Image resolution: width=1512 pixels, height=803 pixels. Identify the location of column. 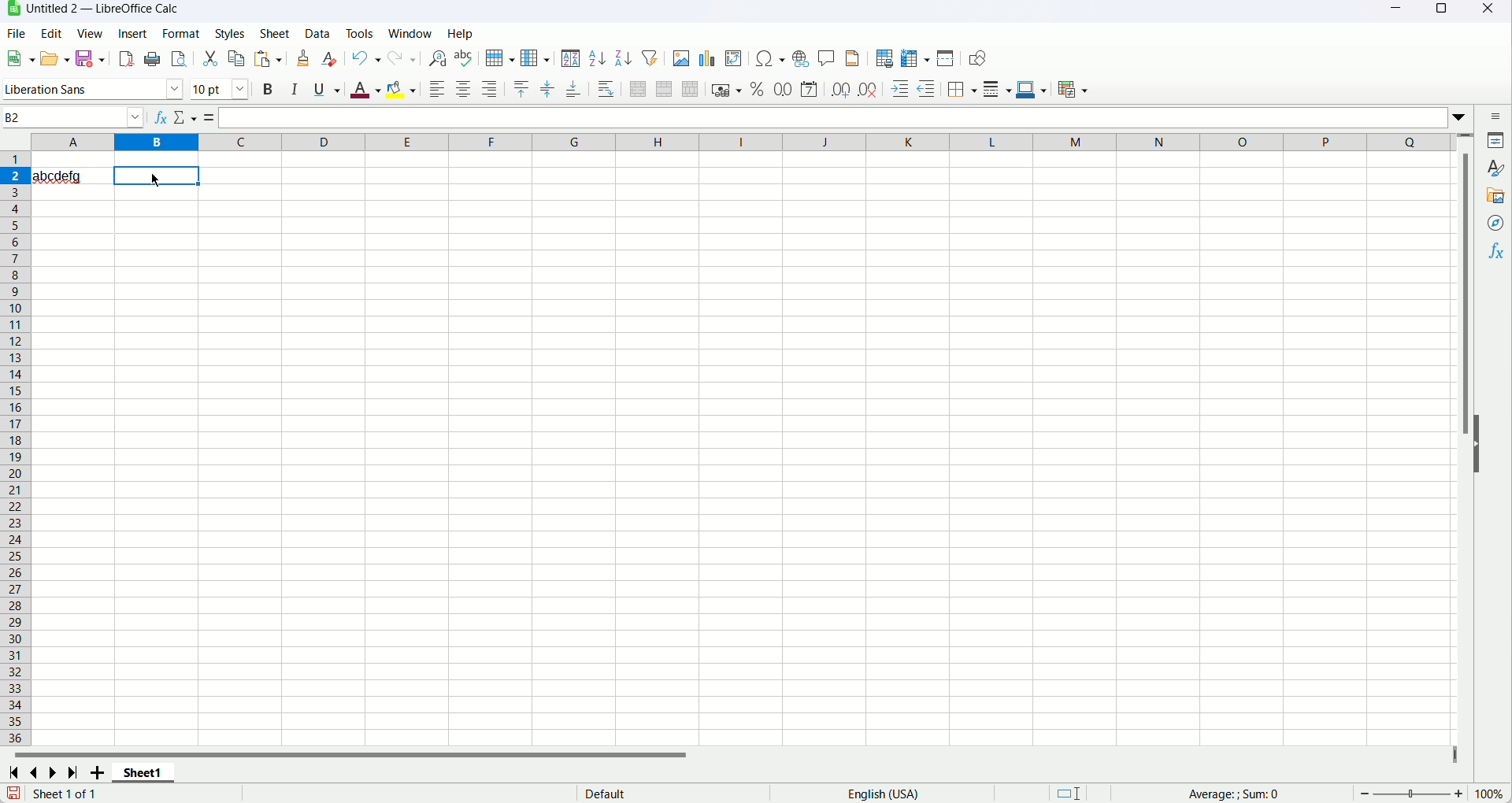
(743, 142).